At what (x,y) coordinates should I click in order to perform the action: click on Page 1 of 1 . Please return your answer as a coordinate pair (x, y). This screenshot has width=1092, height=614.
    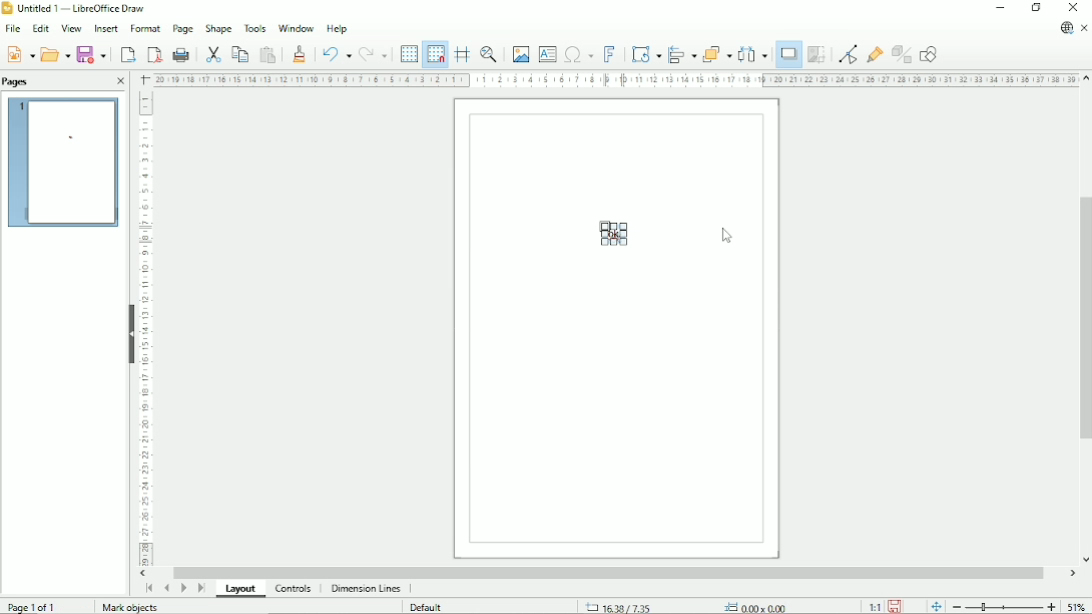
    Looking at the image, I should click on (34, 607).